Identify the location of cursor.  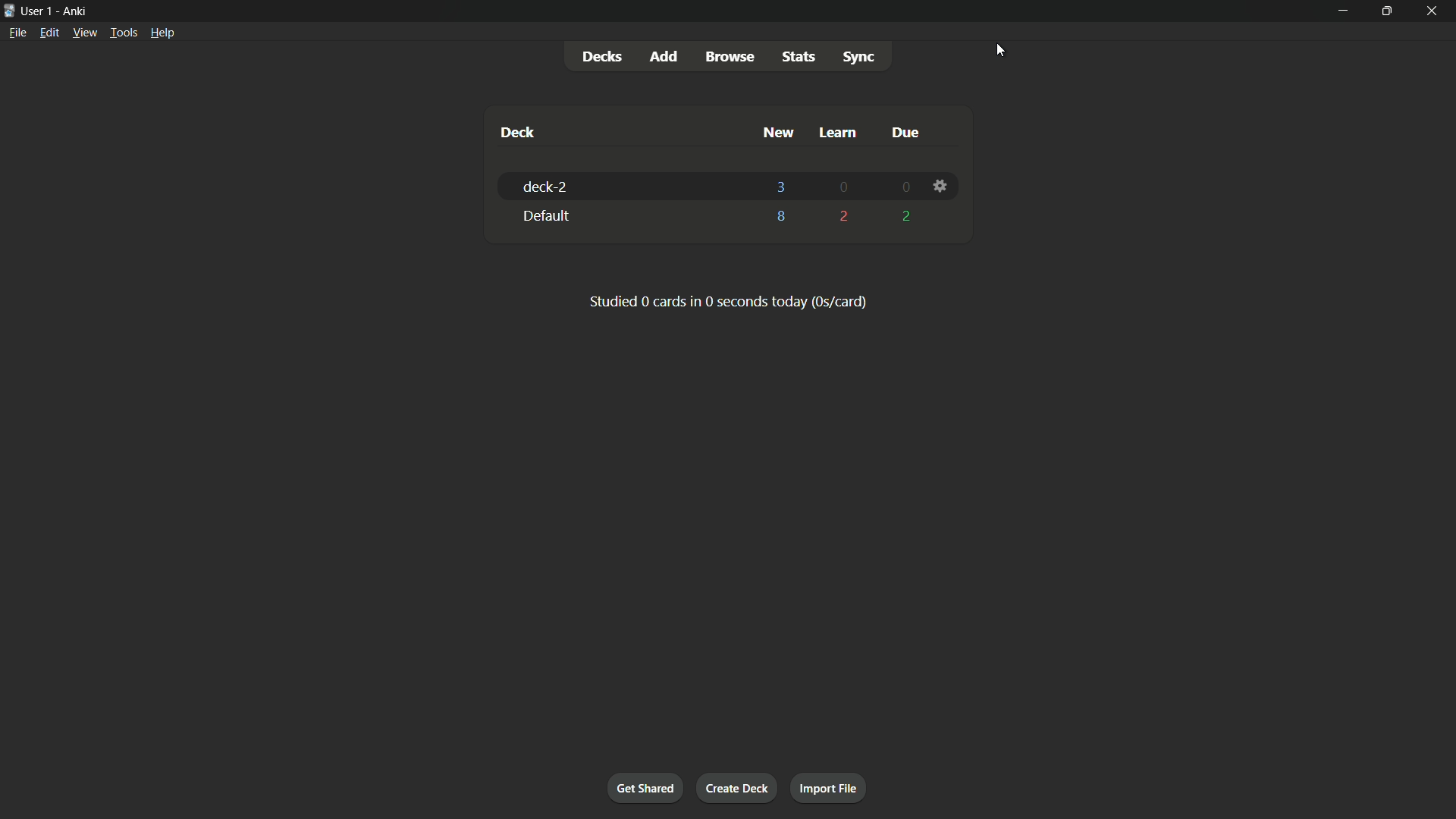
(1002, 51).